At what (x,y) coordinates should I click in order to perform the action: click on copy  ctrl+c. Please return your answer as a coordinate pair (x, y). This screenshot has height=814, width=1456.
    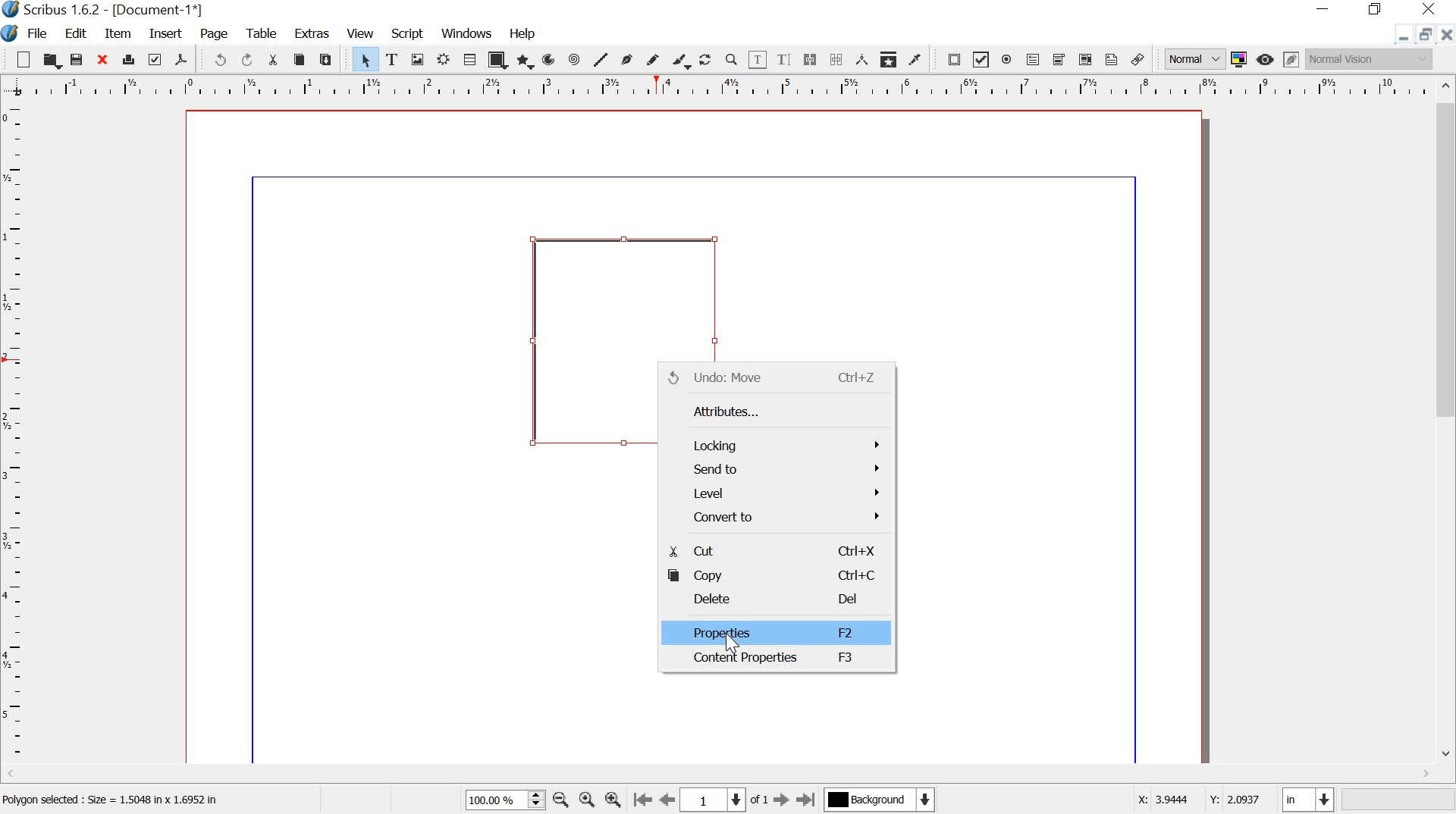
    Looking at the image, I should click on (777, 574).